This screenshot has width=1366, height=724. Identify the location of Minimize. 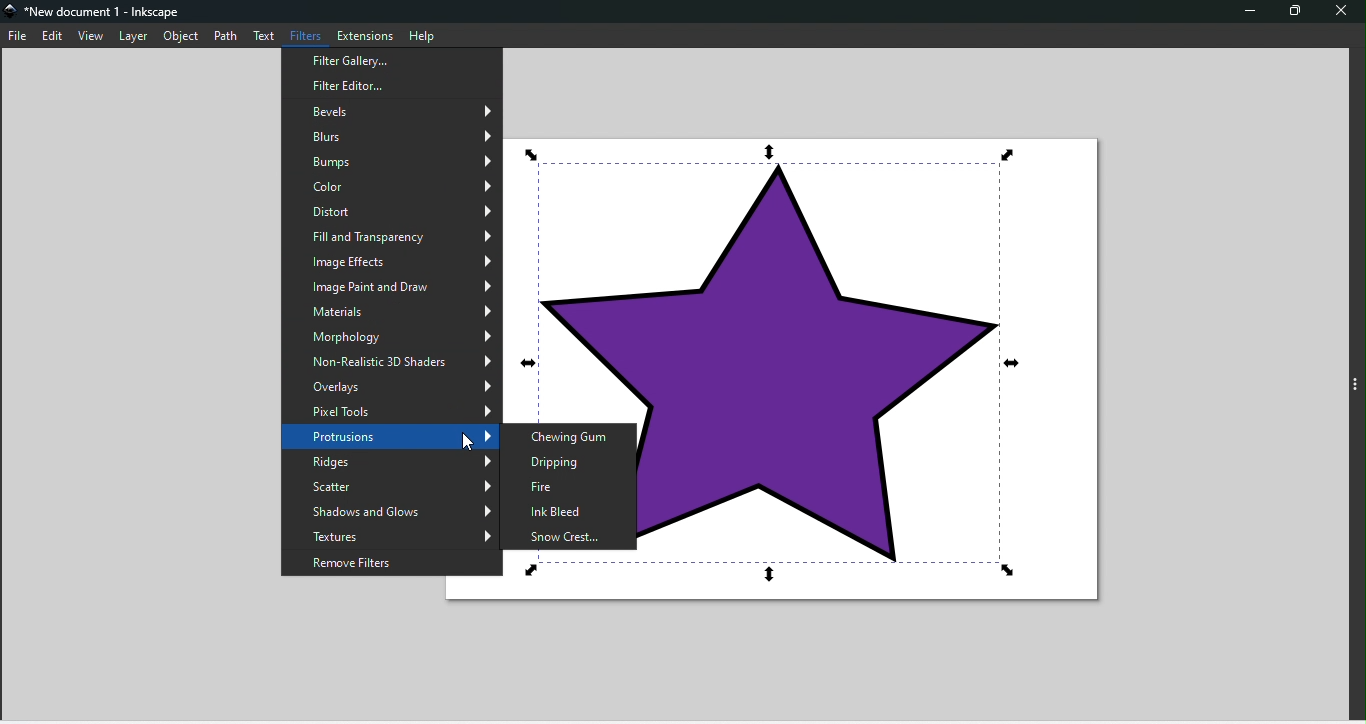
(1251, 10).